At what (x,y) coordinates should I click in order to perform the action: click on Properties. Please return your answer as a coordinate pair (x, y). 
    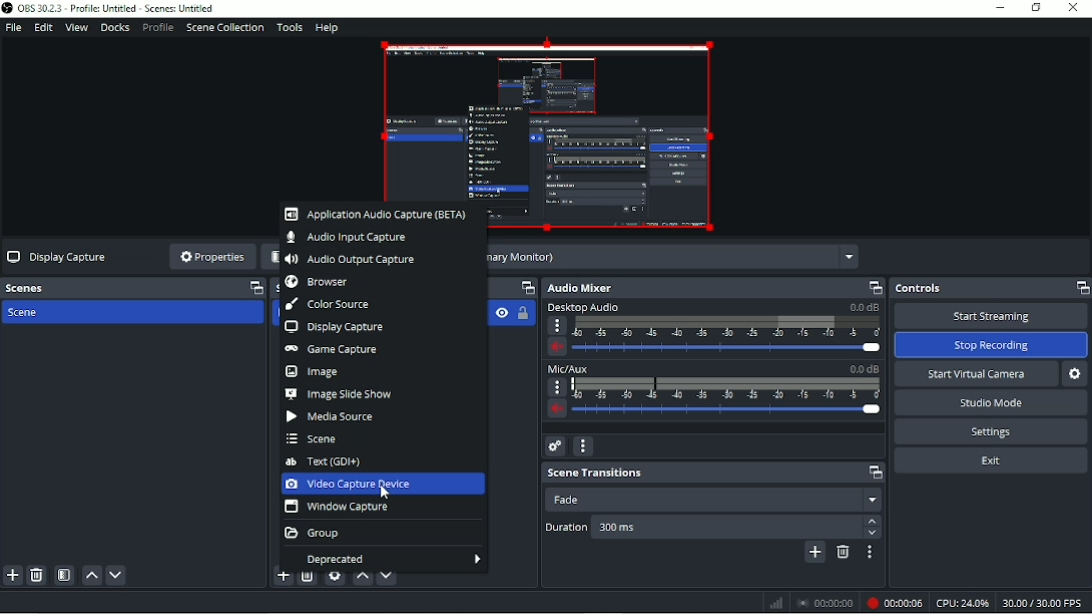
    Looking at the image, I should click on (210, 256).